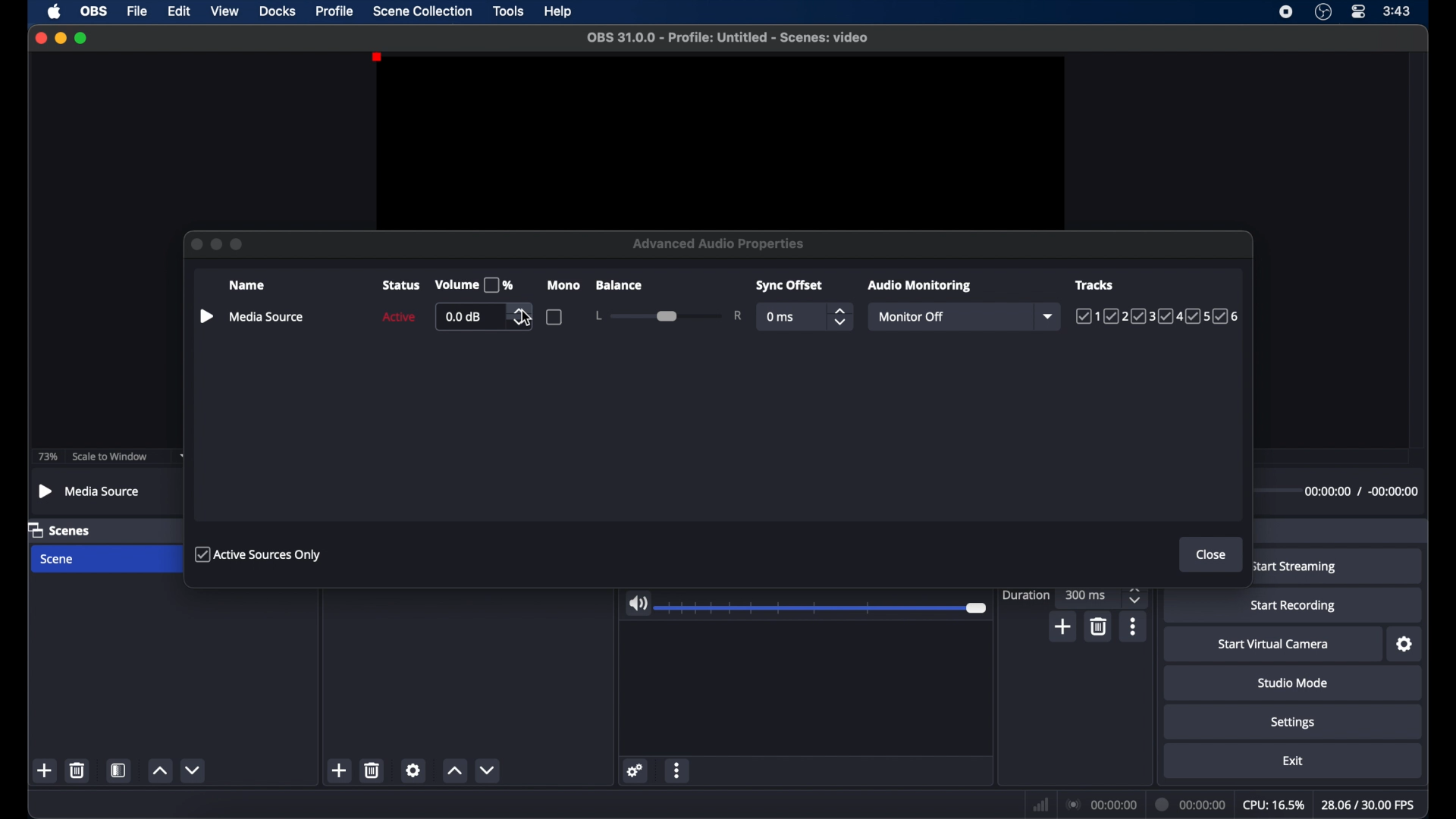 Image resolution: width=1456 pixels, height=819 pixels. I want to click on increment, so click(159, 770).